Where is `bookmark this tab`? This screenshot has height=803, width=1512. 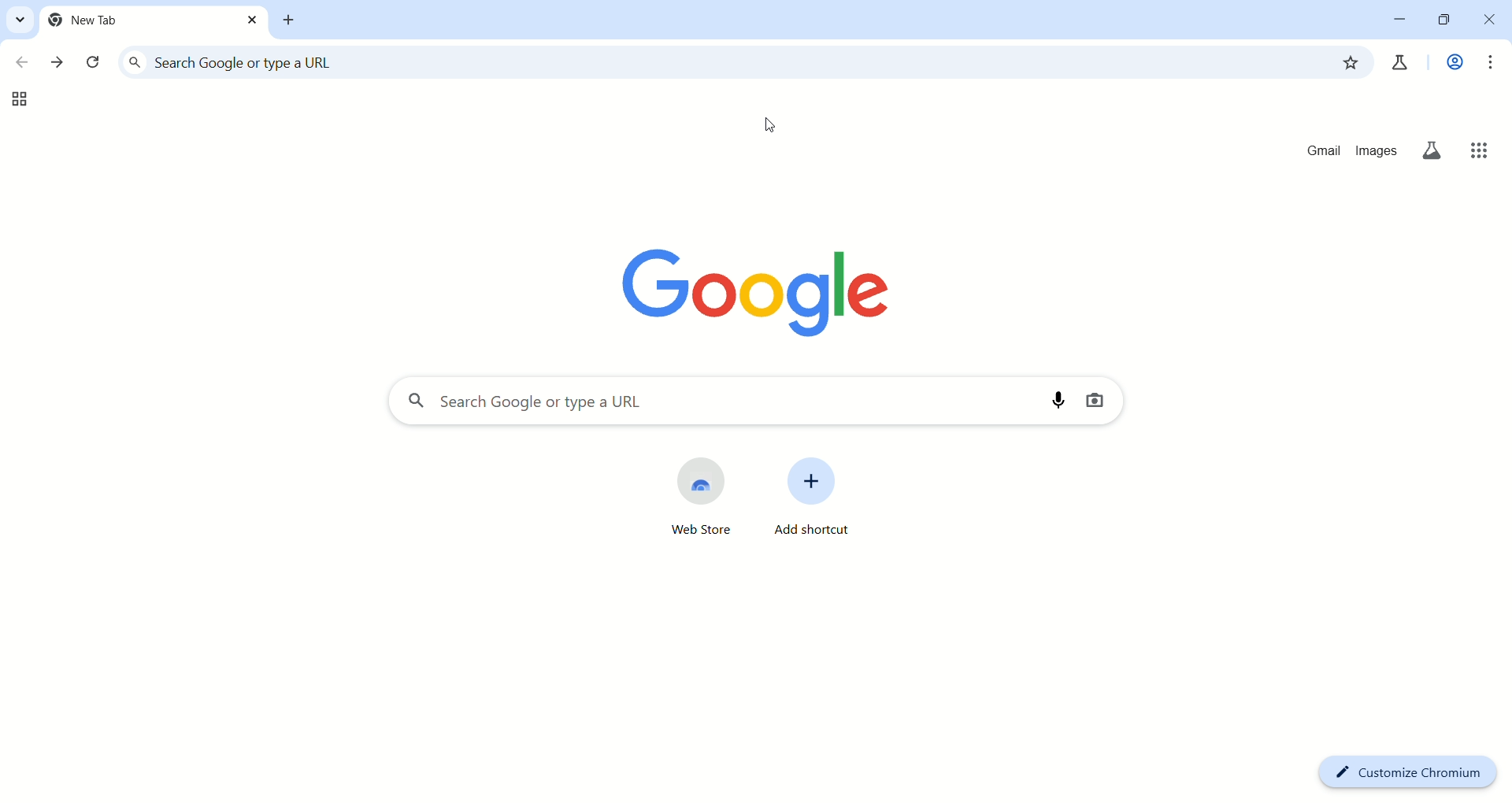
bookmark this tab is located at coordinates (1349, 62).